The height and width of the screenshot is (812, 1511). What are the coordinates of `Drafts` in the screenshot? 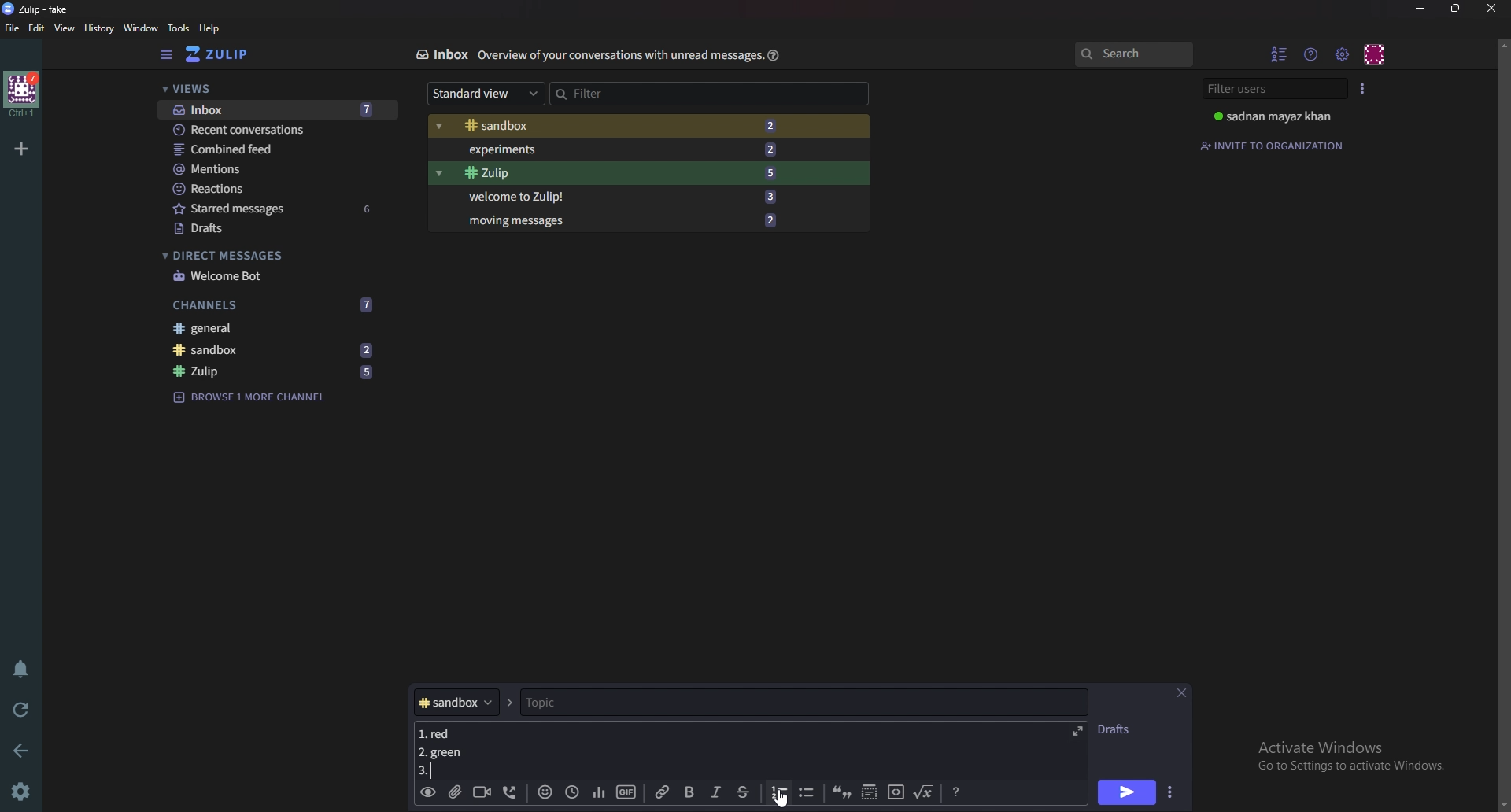 It's located at (1122, 728).